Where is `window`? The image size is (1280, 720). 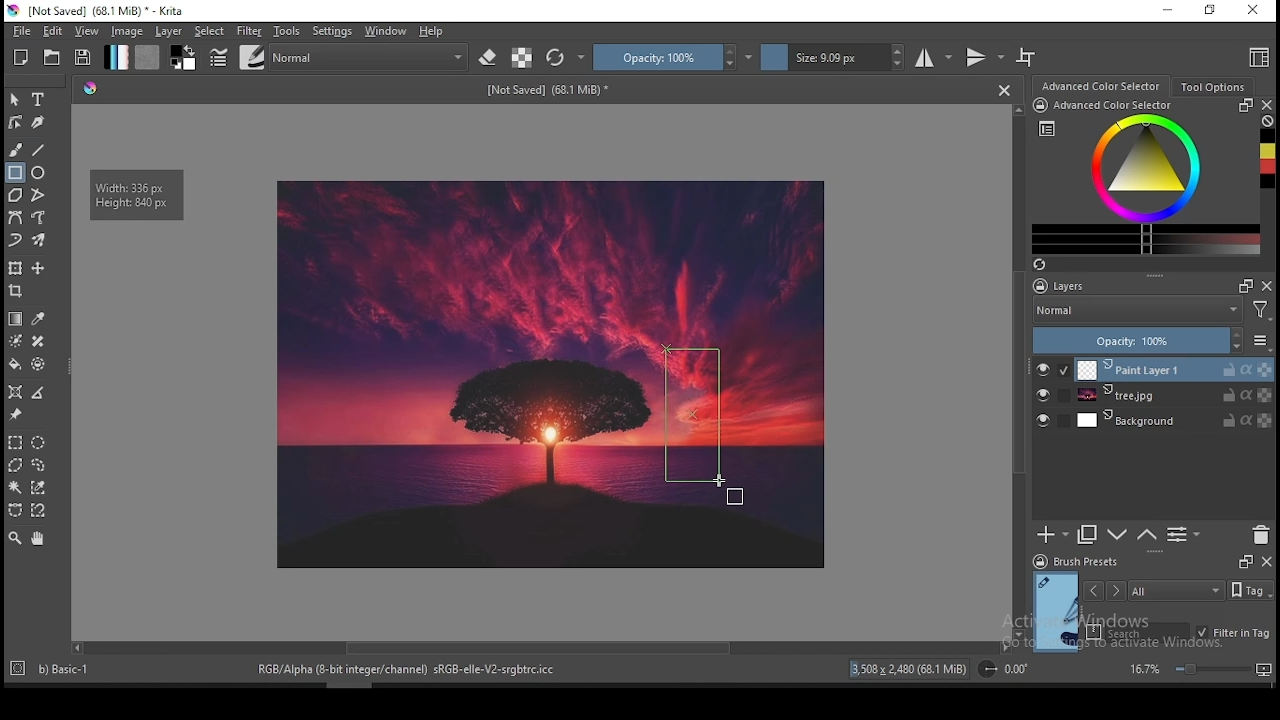
window is located at coordinates (386, 31).